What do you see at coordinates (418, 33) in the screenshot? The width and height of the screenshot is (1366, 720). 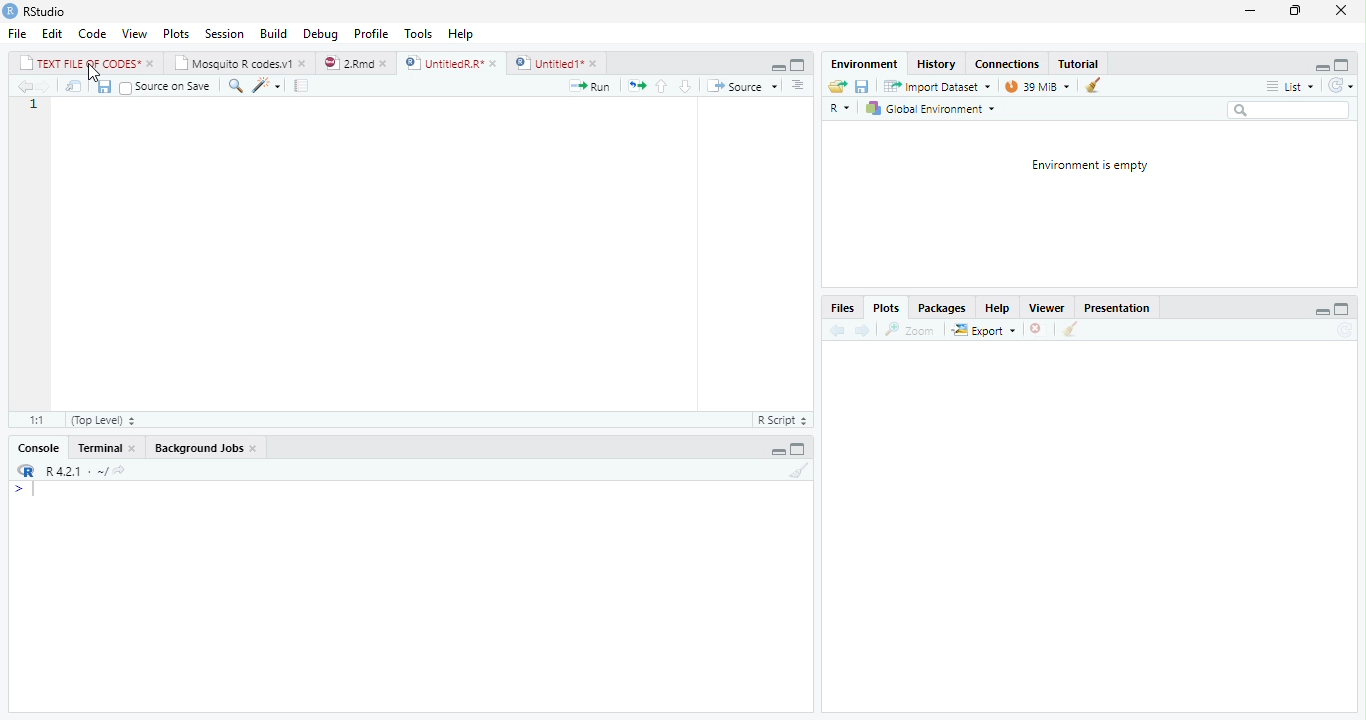 I see `Tools` at bounding box center [418, 33].